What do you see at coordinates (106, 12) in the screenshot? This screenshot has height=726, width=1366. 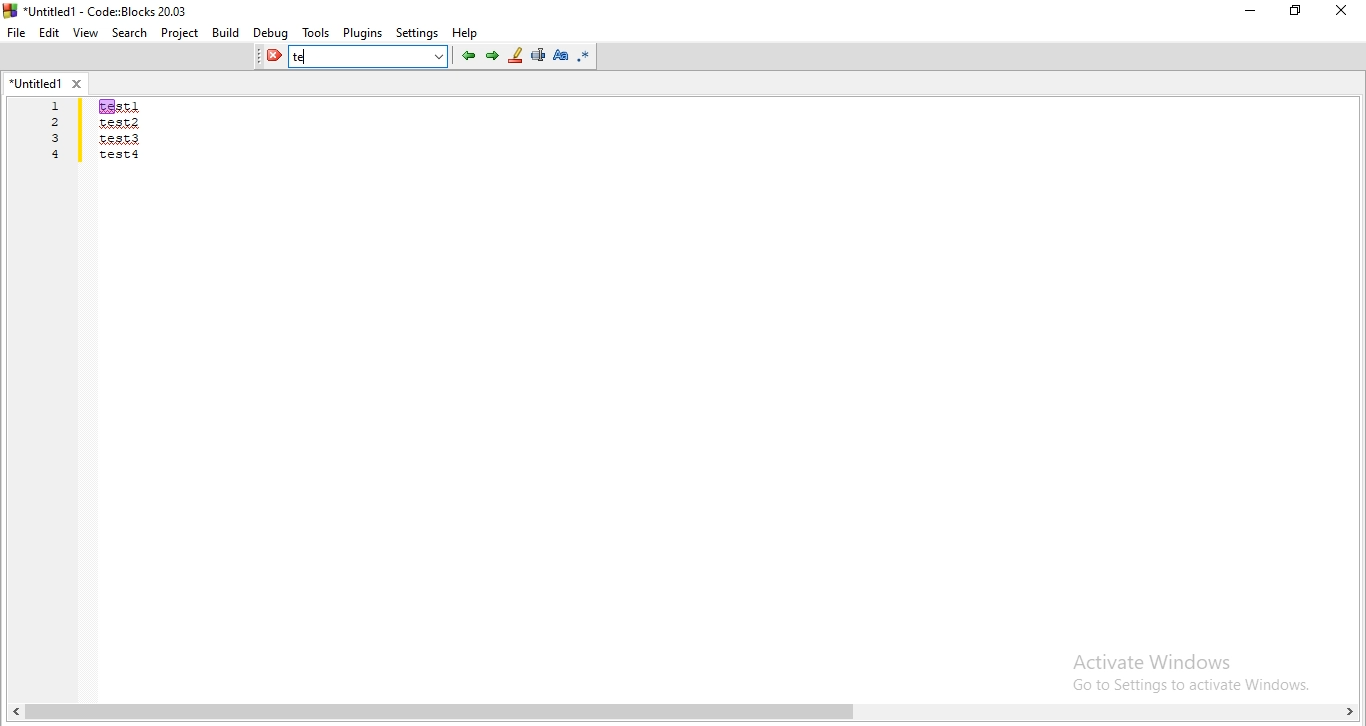 I see `*Untitled1 - Code:Blocks 20.03` at bounding box center [106, 12].